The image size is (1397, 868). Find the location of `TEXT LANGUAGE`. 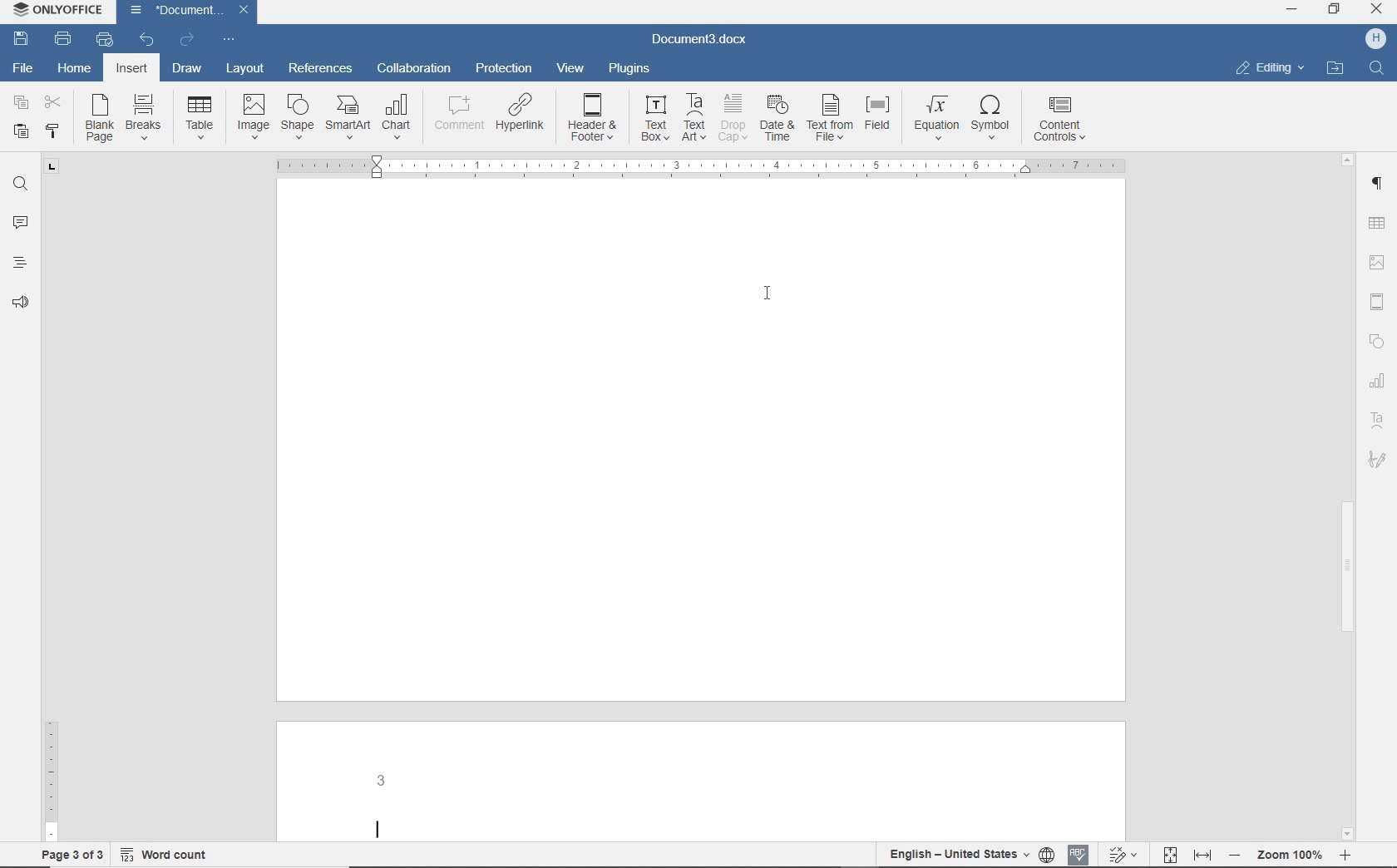

TEXT LANGUAGE is located at coordinates (958, 855).